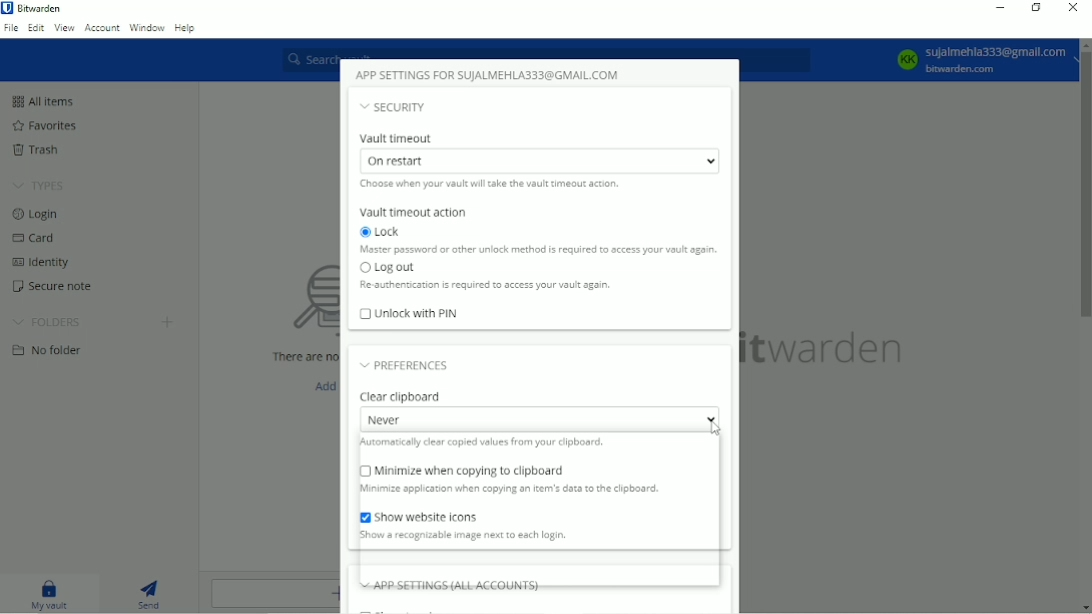  I want to click on Trash, so click(43, 151).